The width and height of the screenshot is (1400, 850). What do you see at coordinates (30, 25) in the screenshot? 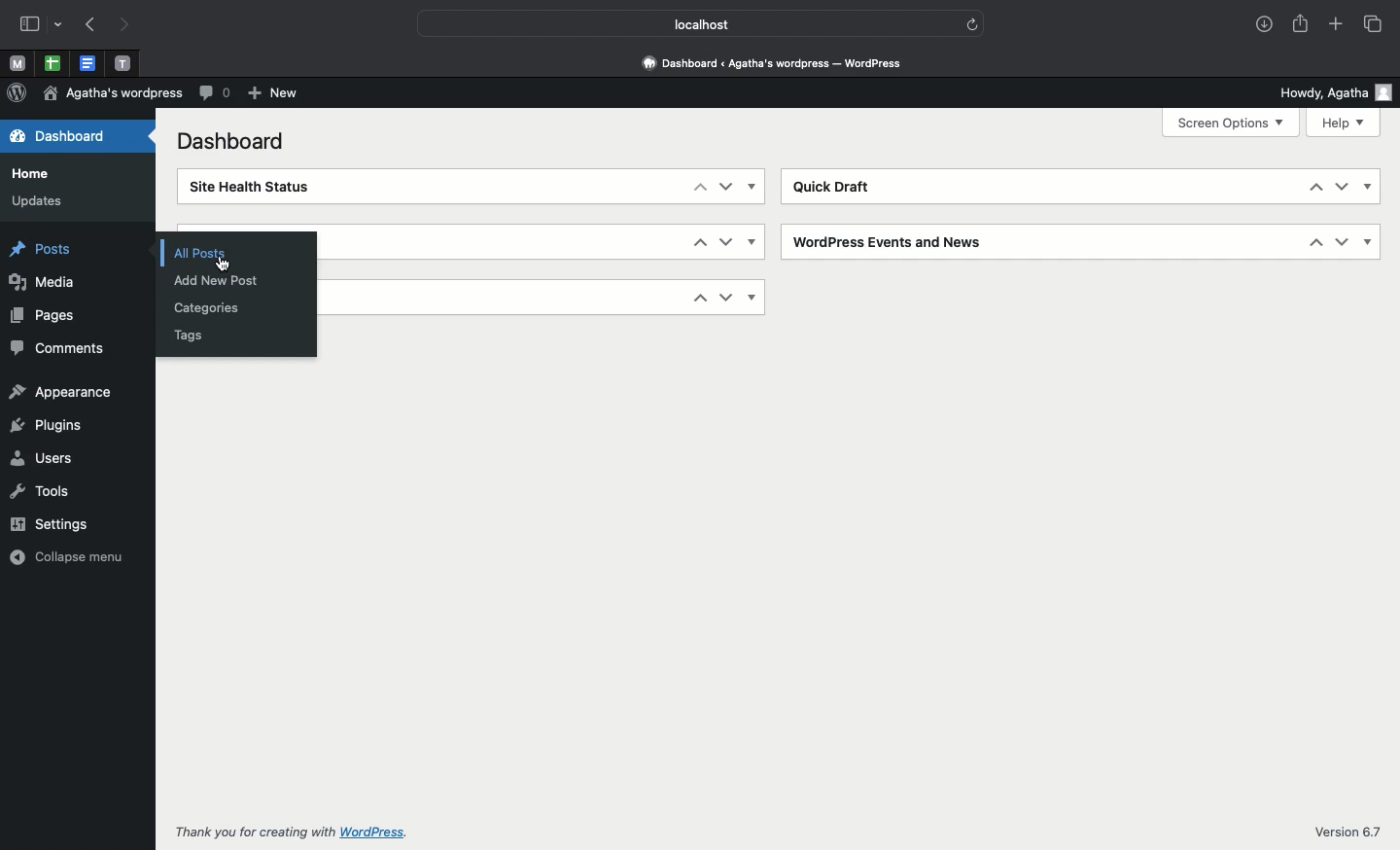
I see `Sidebar` at bounding box center [30, 25].